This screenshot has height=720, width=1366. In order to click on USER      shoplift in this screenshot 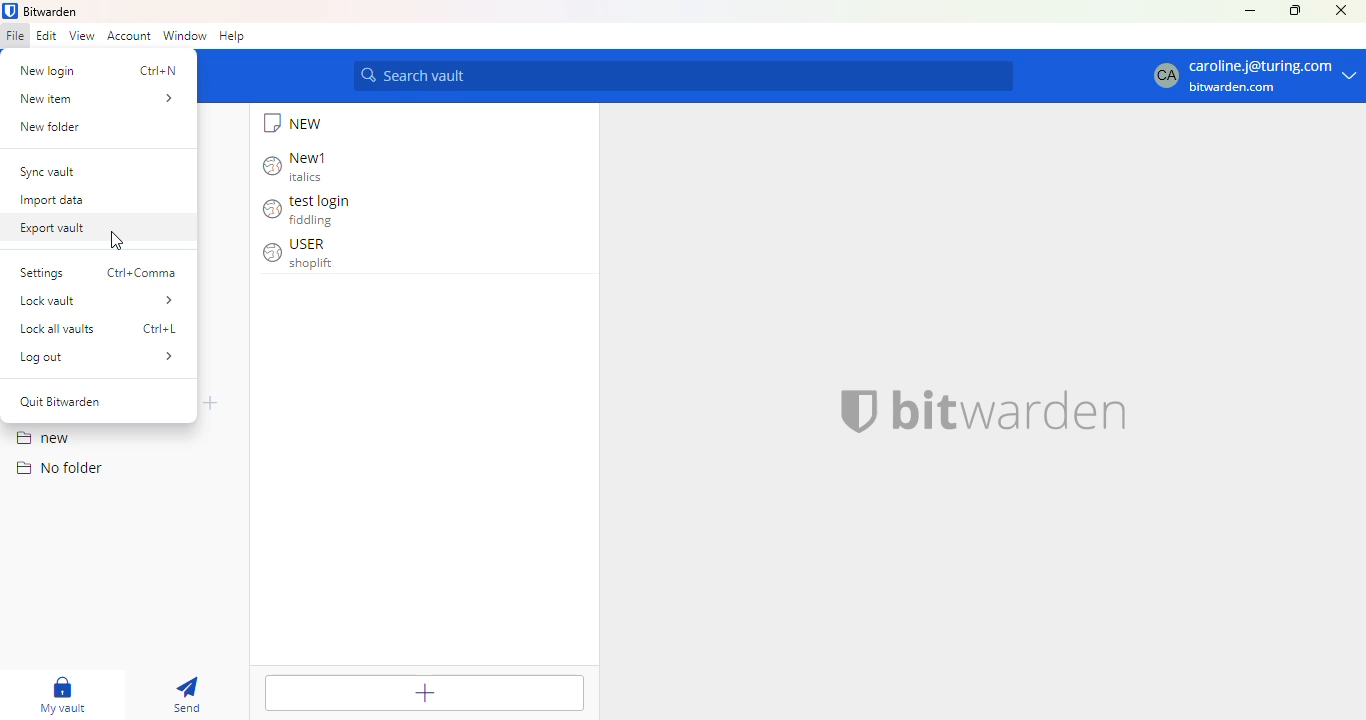, I will do `click(301, 254)`.